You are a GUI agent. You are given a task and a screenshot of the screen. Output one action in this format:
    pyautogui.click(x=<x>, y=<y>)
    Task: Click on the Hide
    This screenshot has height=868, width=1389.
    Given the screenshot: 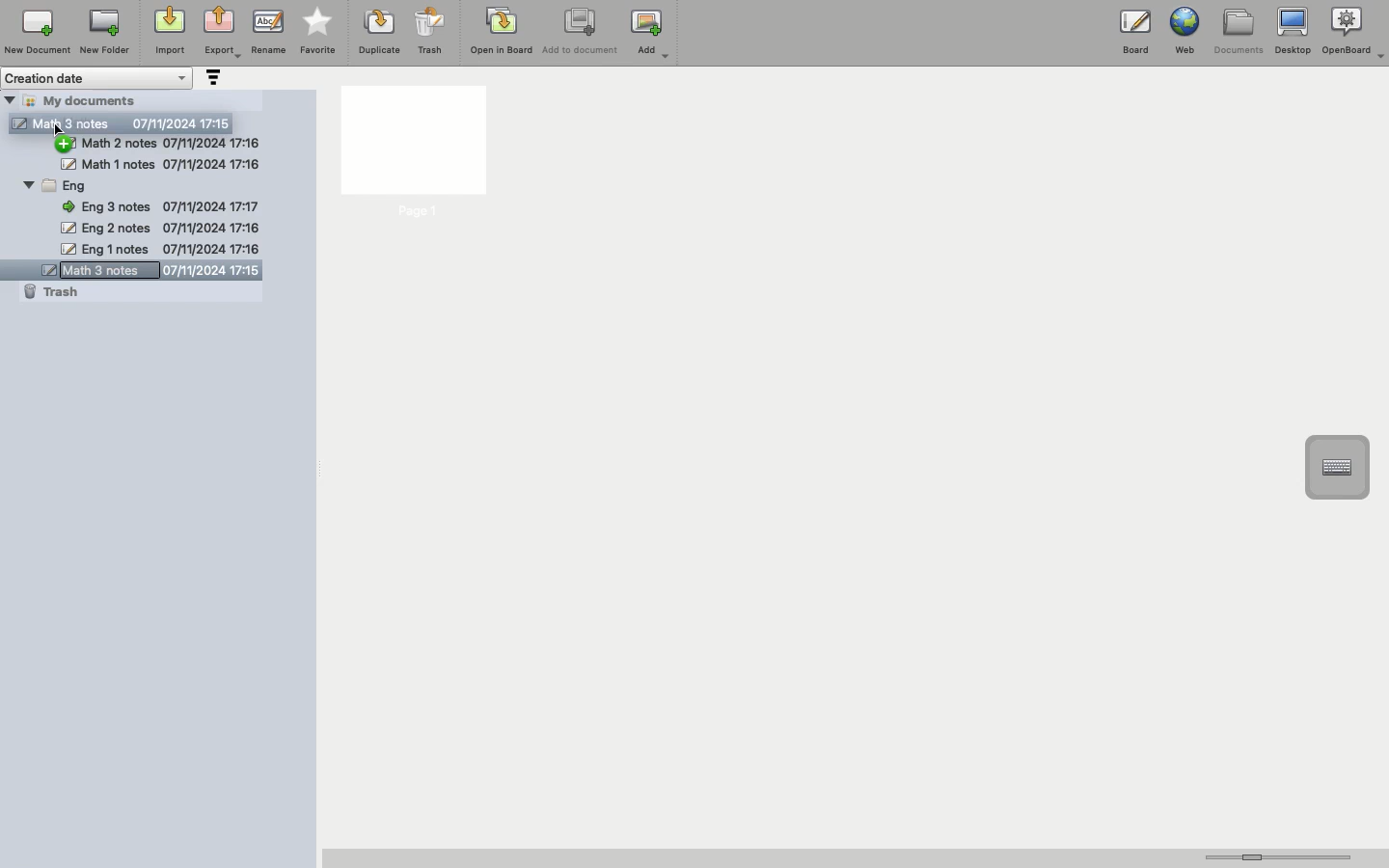 What is the action you would take?
    pyautogui.click(x=10, y=99)
    